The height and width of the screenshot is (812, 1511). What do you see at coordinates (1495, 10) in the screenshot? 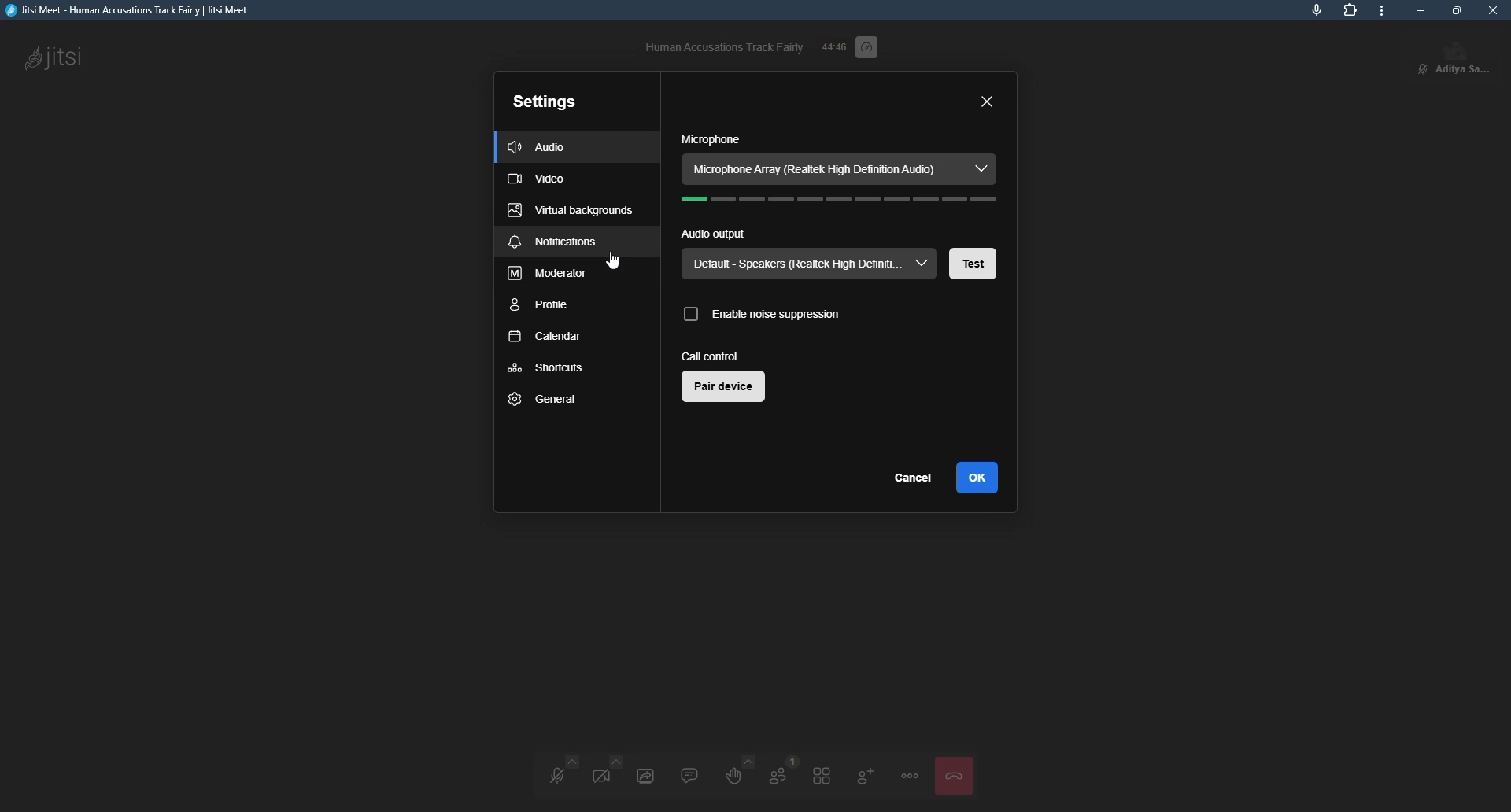
I see `close` at bounding box center [1495, 10].